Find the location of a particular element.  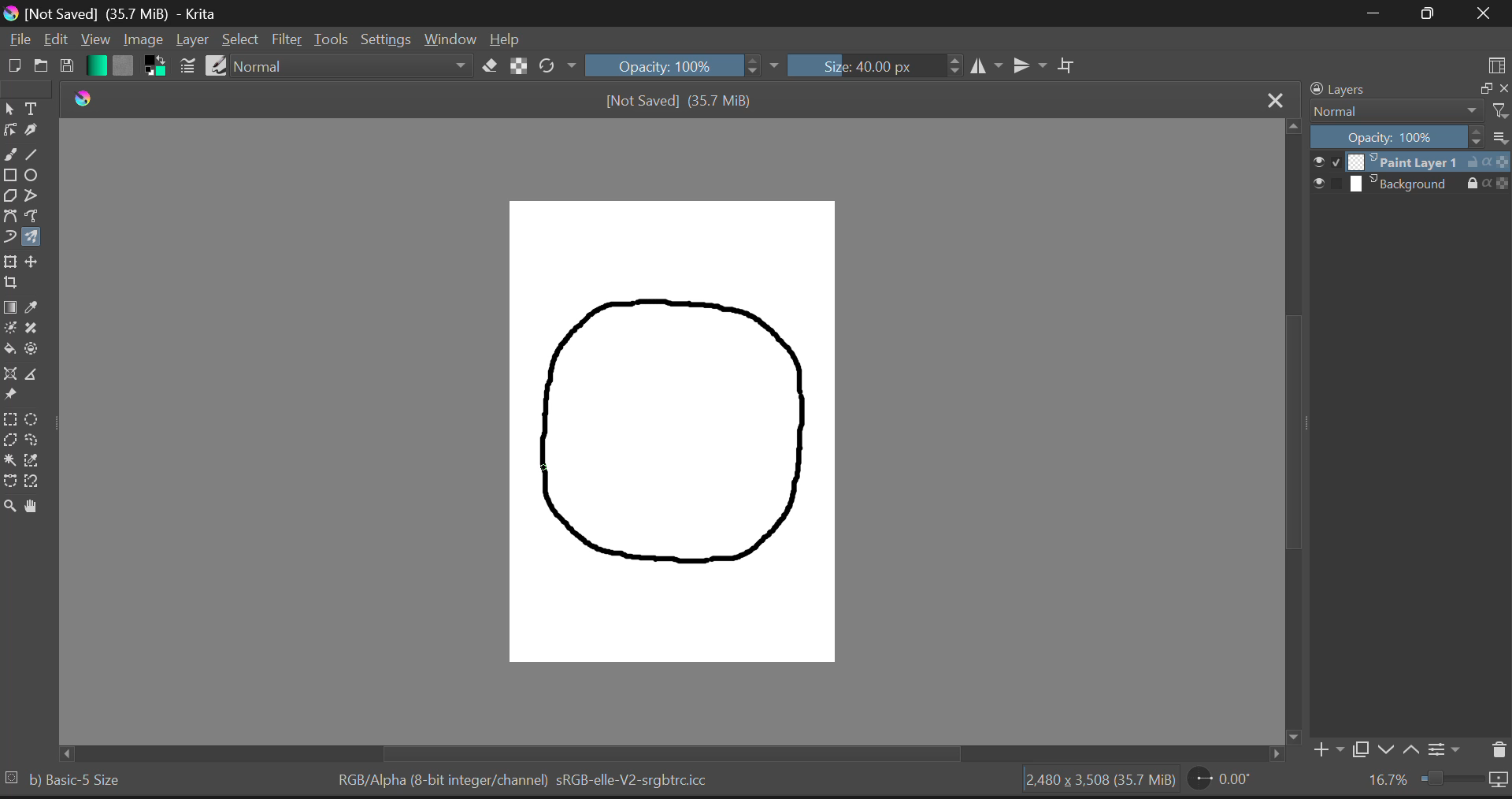

Blending Modes is located at coordinates (1394, 111).